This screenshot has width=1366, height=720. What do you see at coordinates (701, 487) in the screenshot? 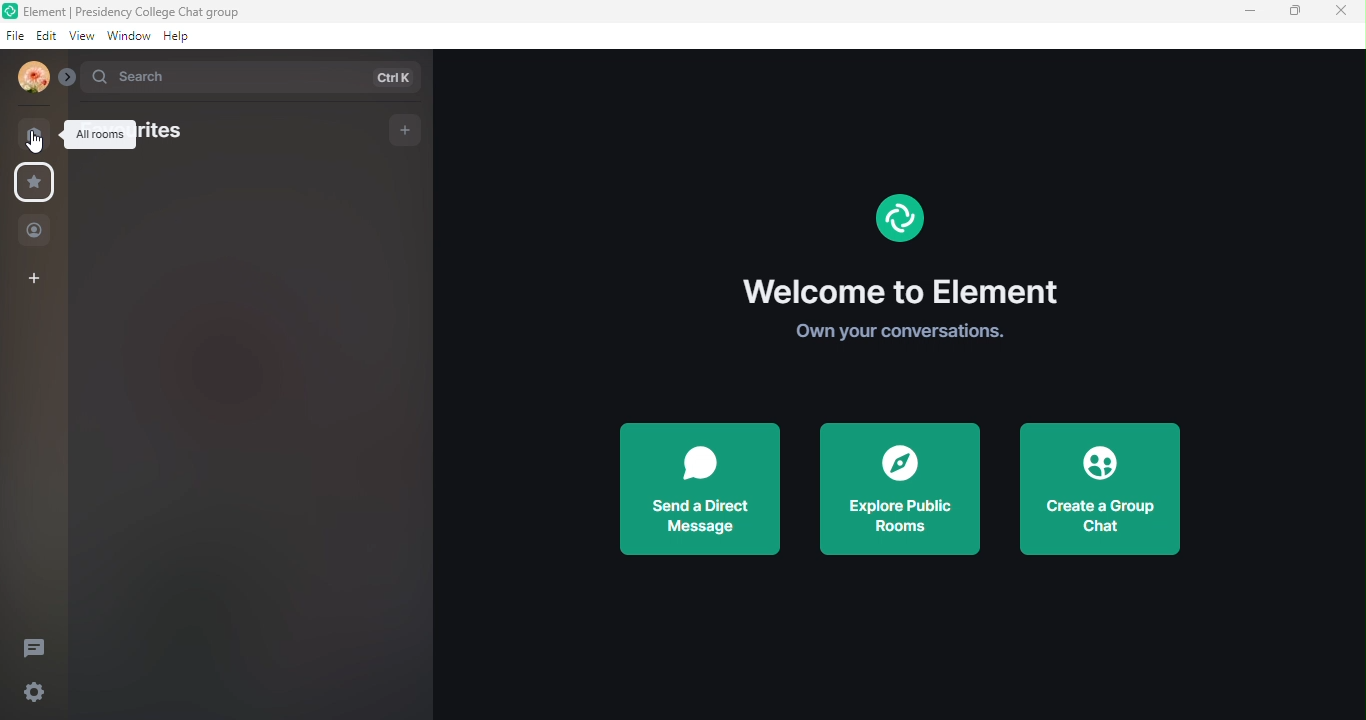
I see `send a direct message` at bounding box center [701, 487].